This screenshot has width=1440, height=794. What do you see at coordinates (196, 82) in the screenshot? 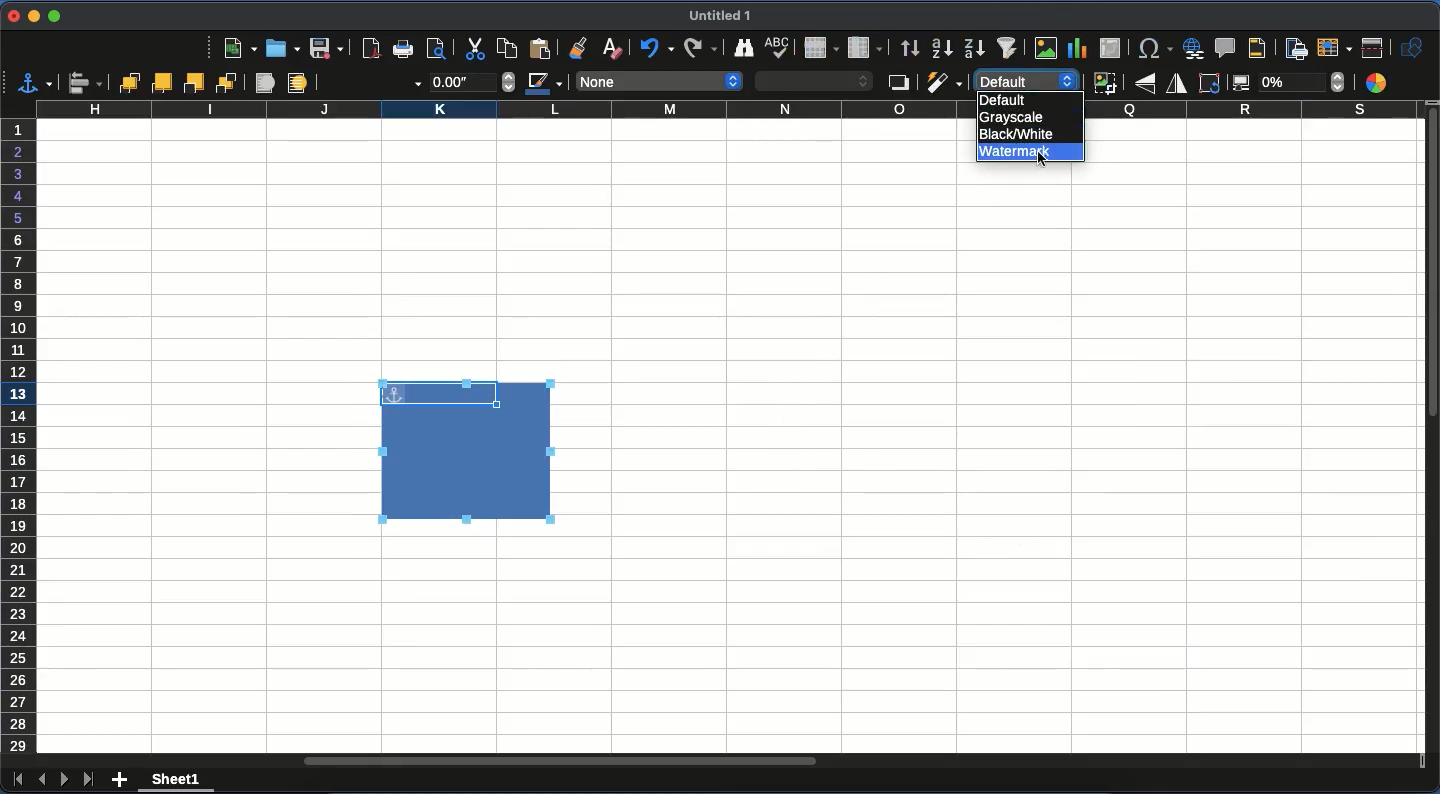
I see `back one` at bounding box center [196, 82].